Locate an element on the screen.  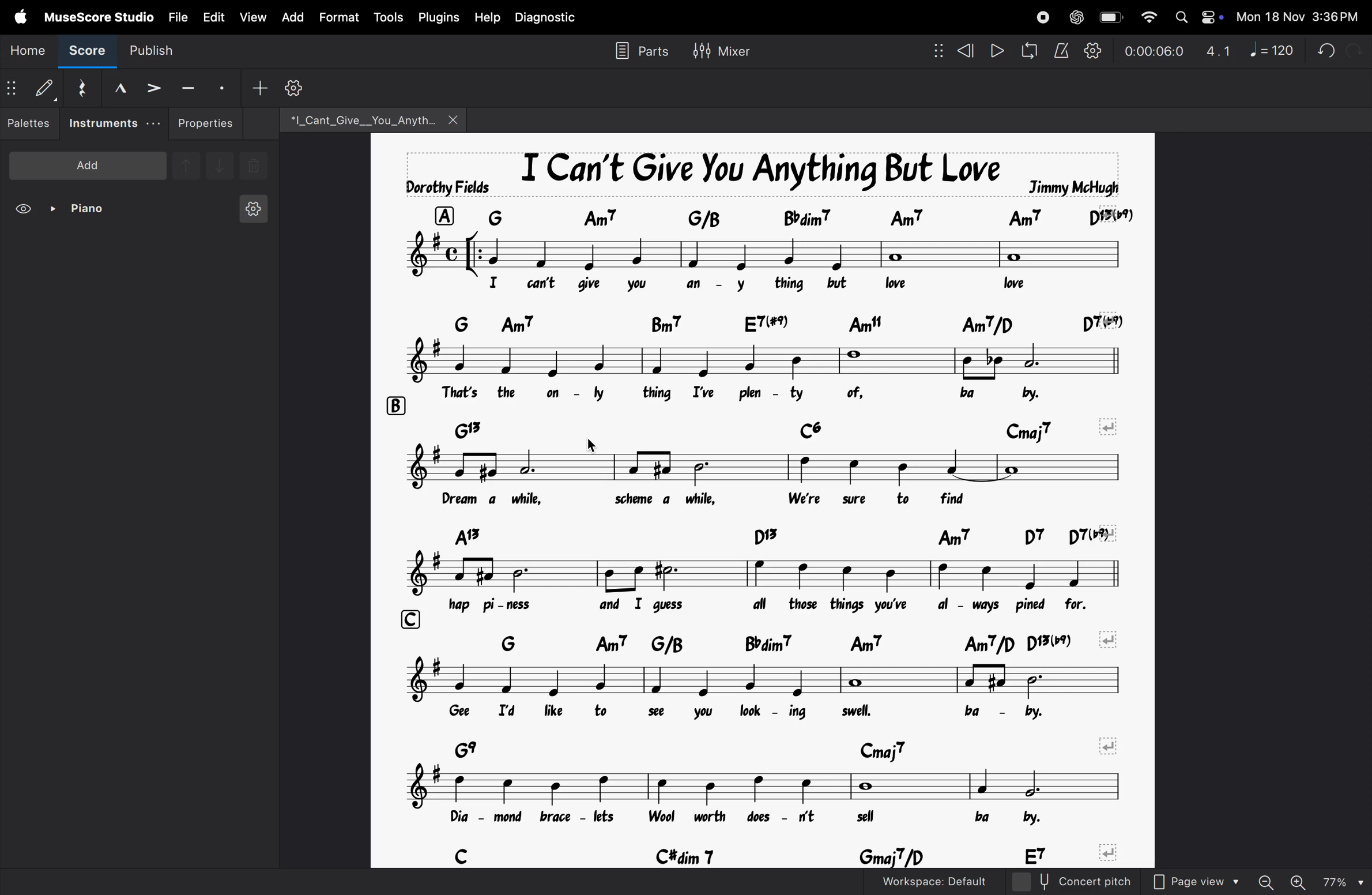
chord symbol is located at coordinates (813, 216).